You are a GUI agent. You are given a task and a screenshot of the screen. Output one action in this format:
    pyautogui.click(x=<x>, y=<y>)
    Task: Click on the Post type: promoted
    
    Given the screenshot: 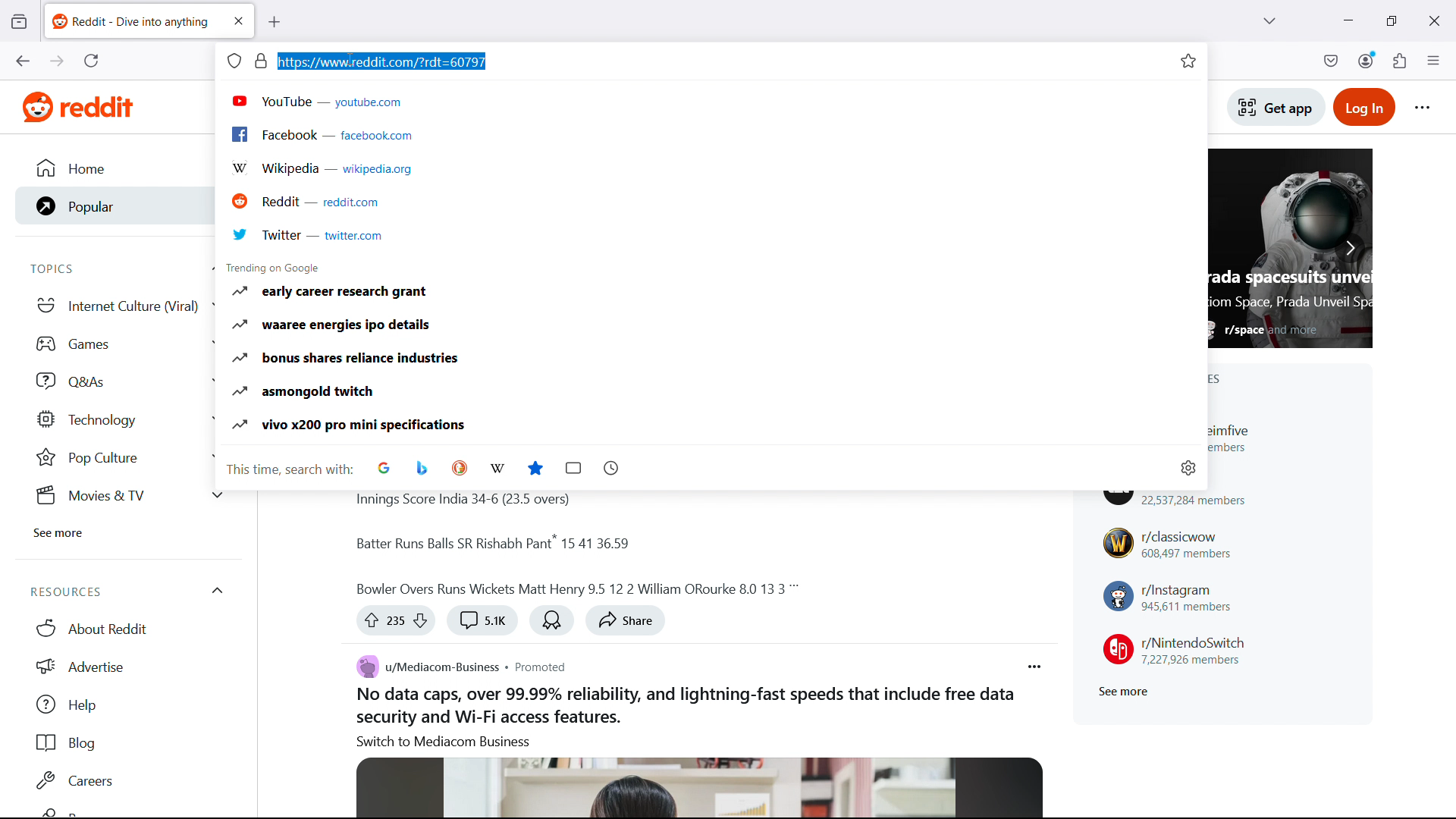 What is the action you would take?
    pyautogui.click(x=540, y=666)
    